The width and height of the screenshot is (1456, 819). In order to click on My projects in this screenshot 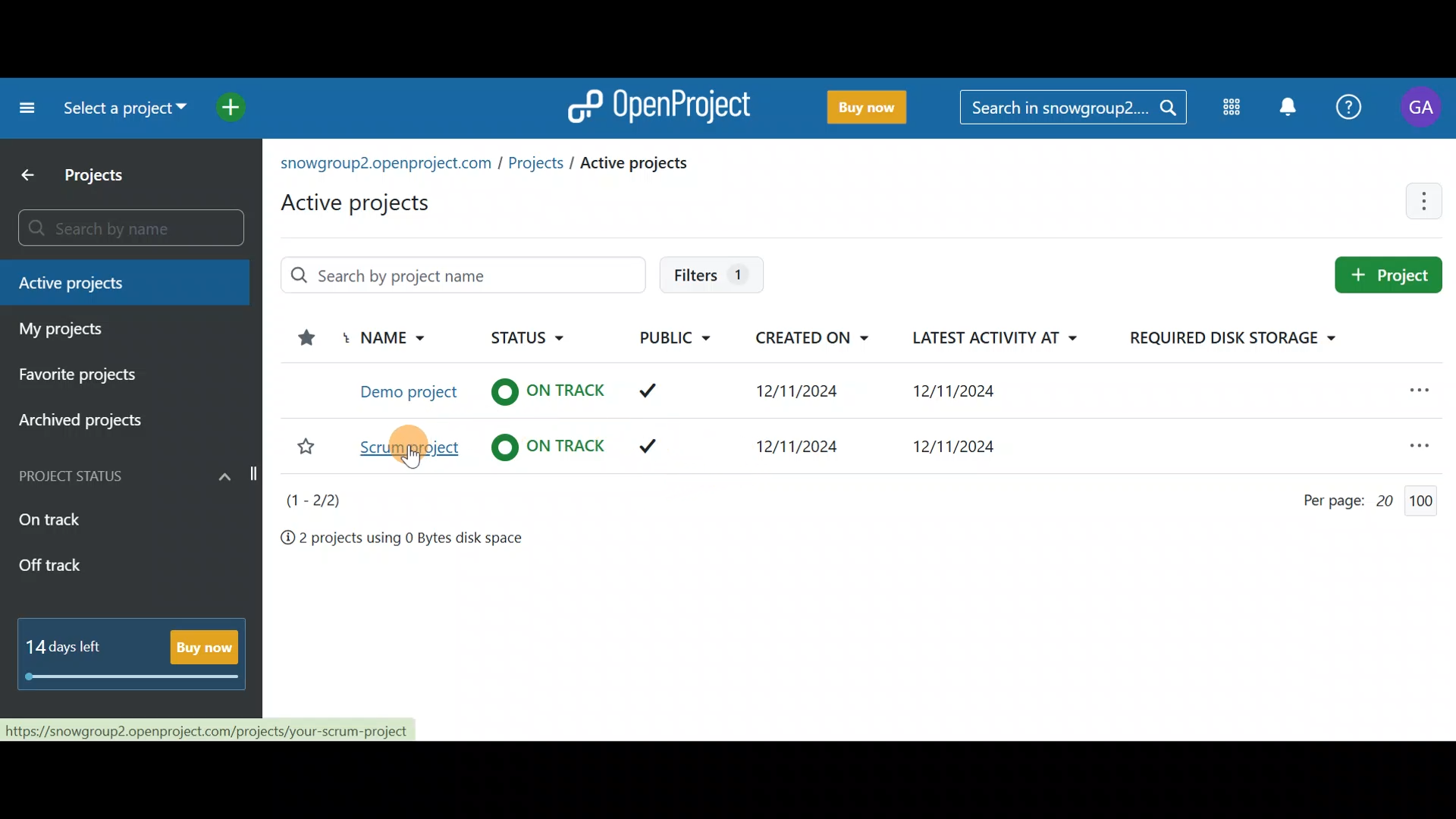, I will do `click(119, 328)`.